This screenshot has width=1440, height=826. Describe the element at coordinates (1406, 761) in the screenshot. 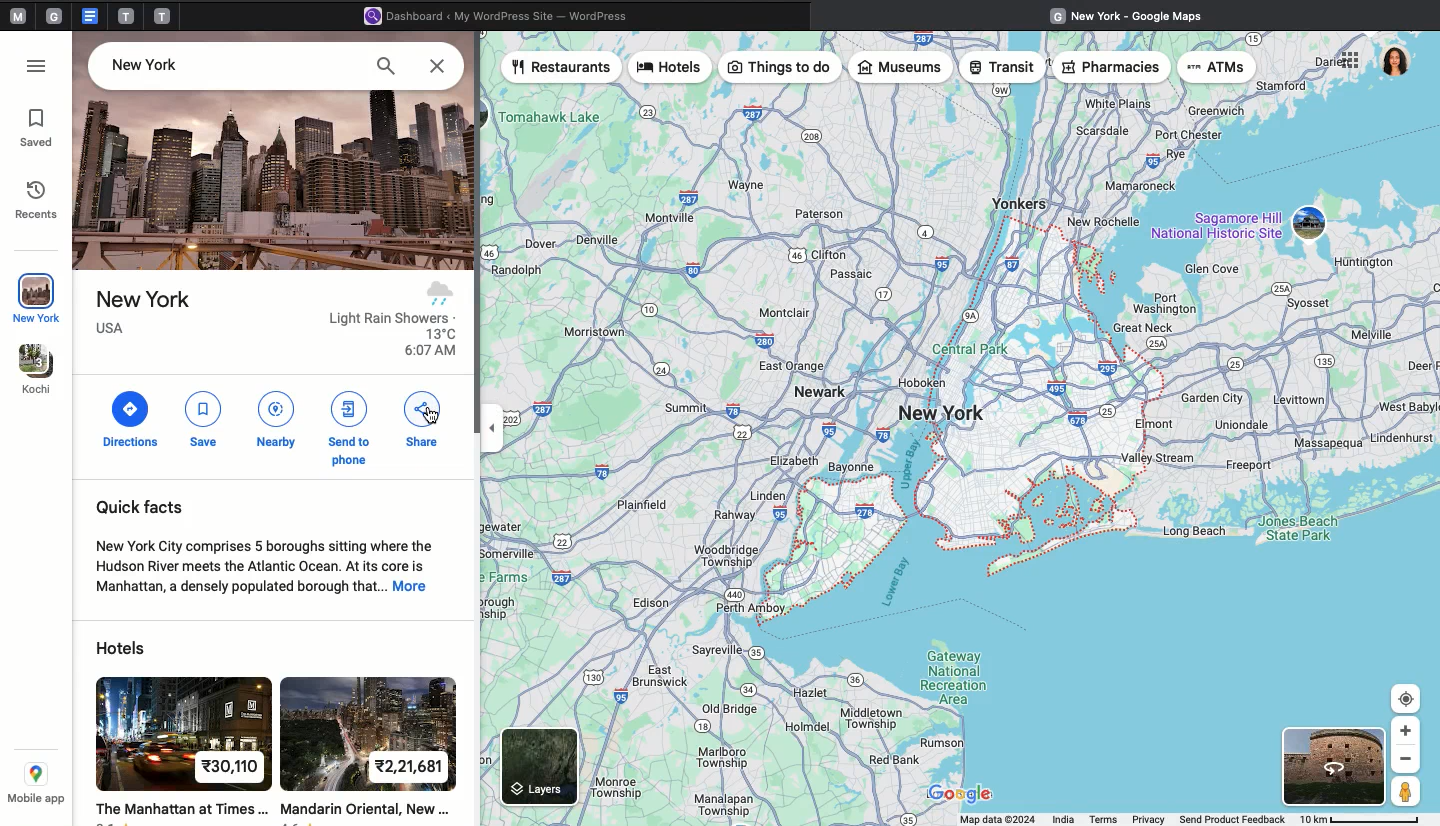

I see `Zoom out` at that location.